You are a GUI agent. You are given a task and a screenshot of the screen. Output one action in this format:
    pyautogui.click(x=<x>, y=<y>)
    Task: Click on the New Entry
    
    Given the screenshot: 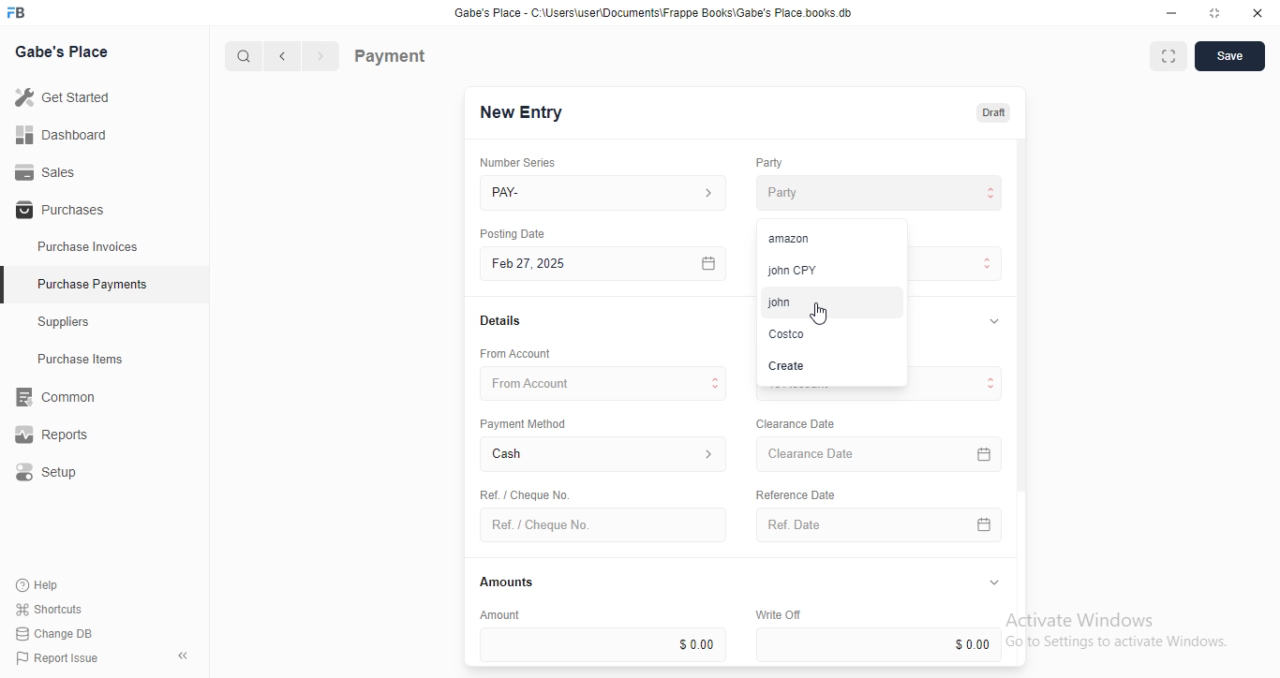 What is the action you would take?
    pyautogui.click(x=522, y=113)
    